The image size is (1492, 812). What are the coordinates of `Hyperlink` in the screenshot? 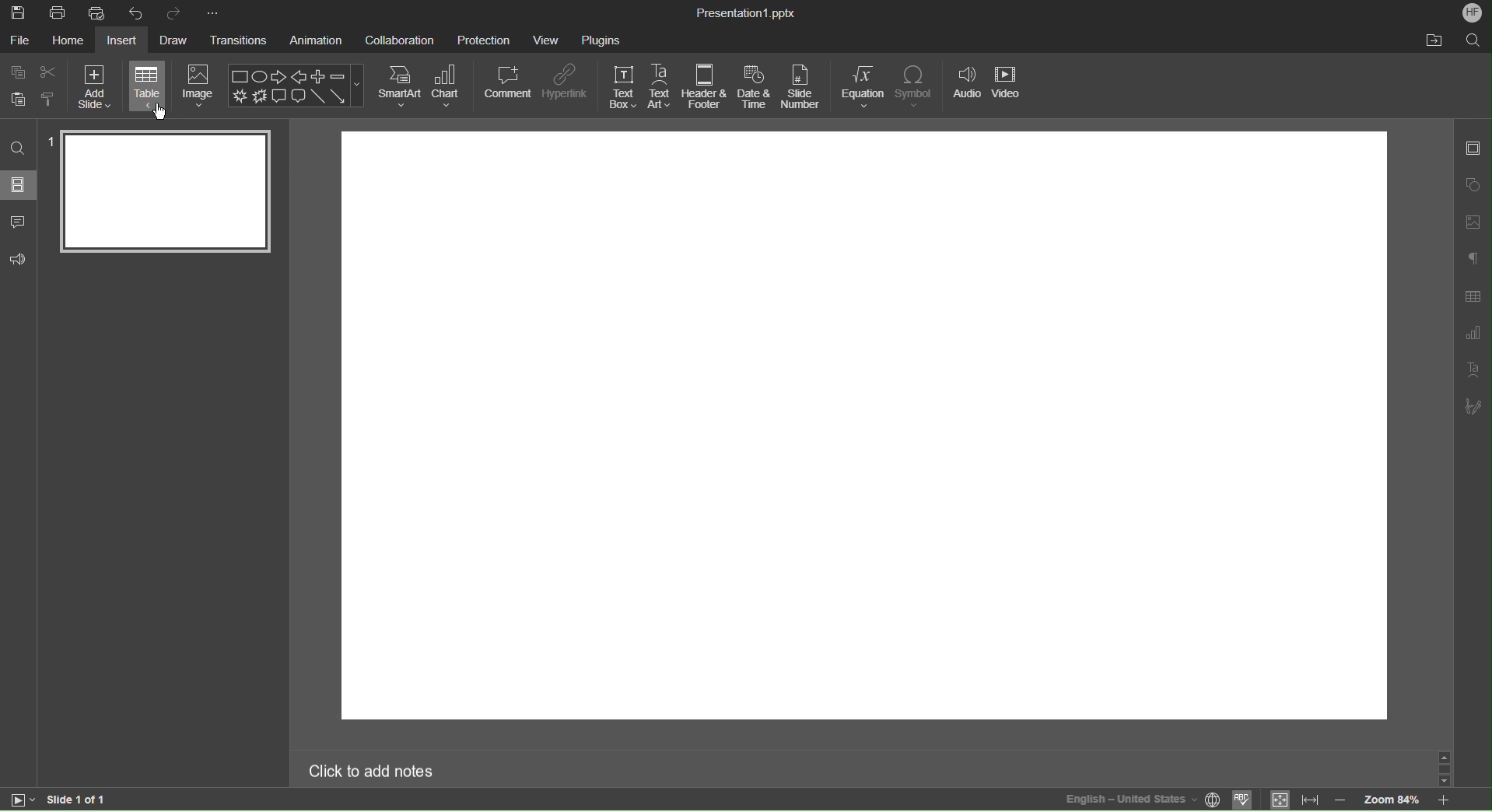 It's located at (568, 84).